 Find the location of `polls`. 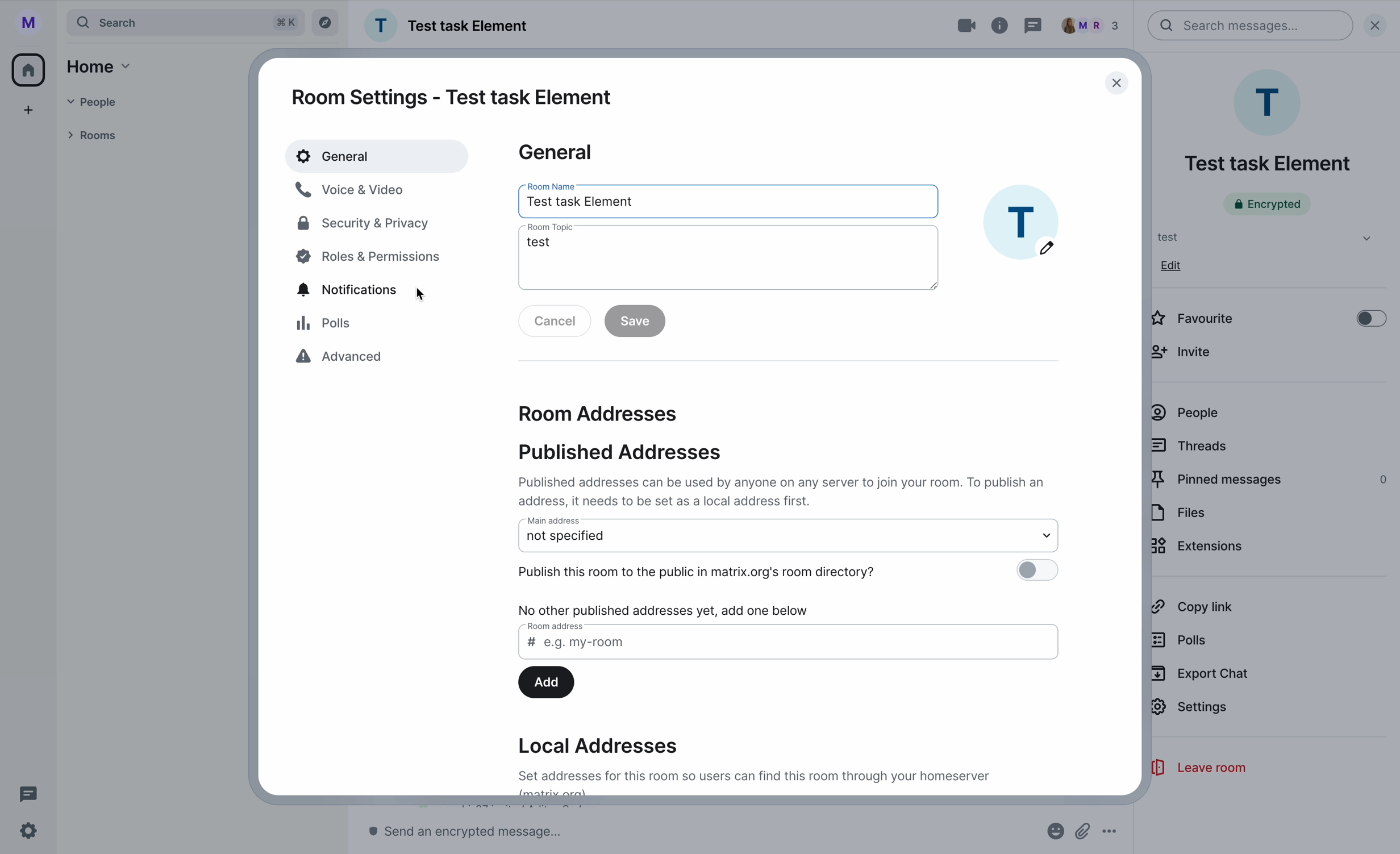

polls is located at coordinates (328, 324).